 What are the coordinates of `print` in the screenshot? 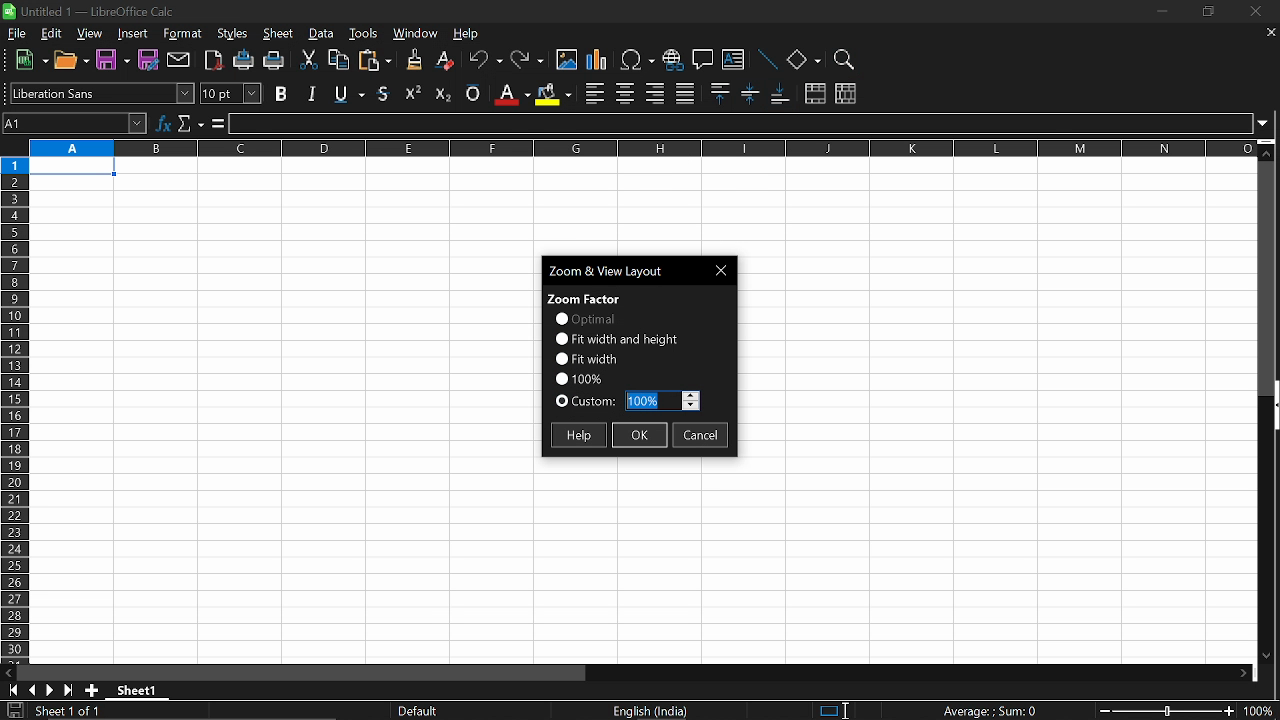 It's located at (274, 62).